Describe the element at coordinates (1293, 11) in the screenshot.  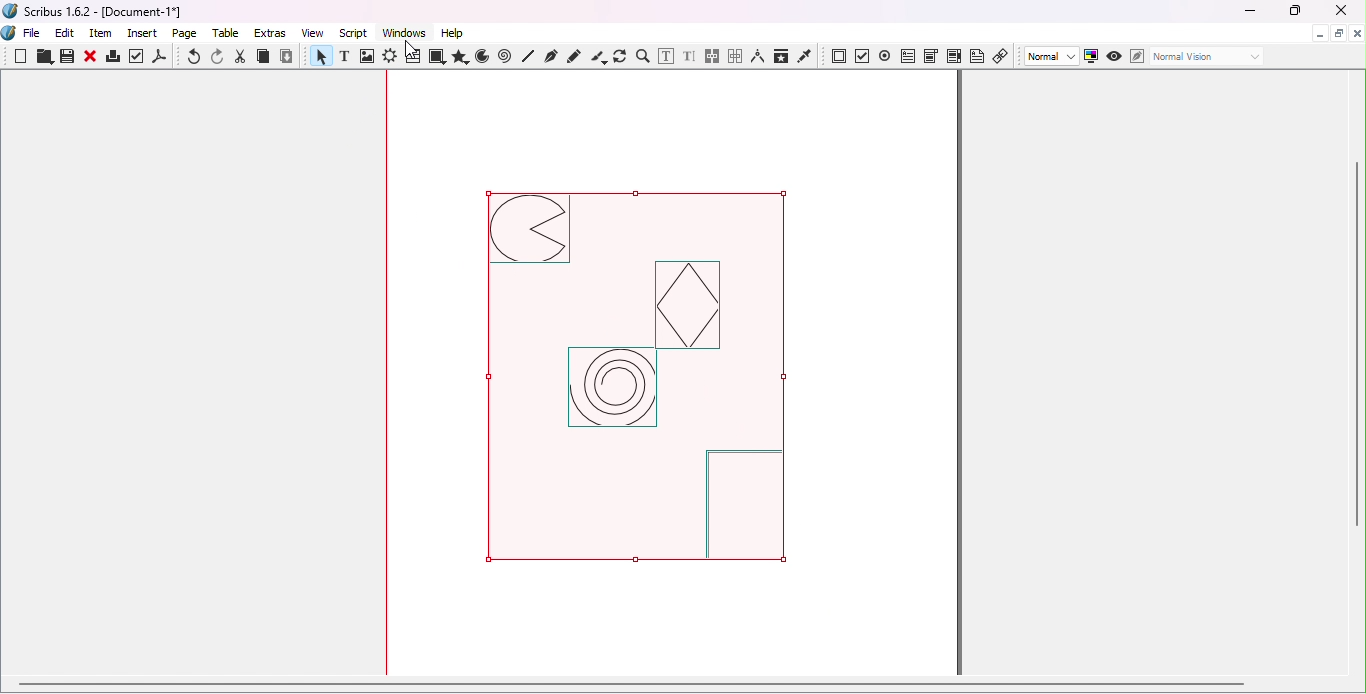
I see `Maximize` at that location.